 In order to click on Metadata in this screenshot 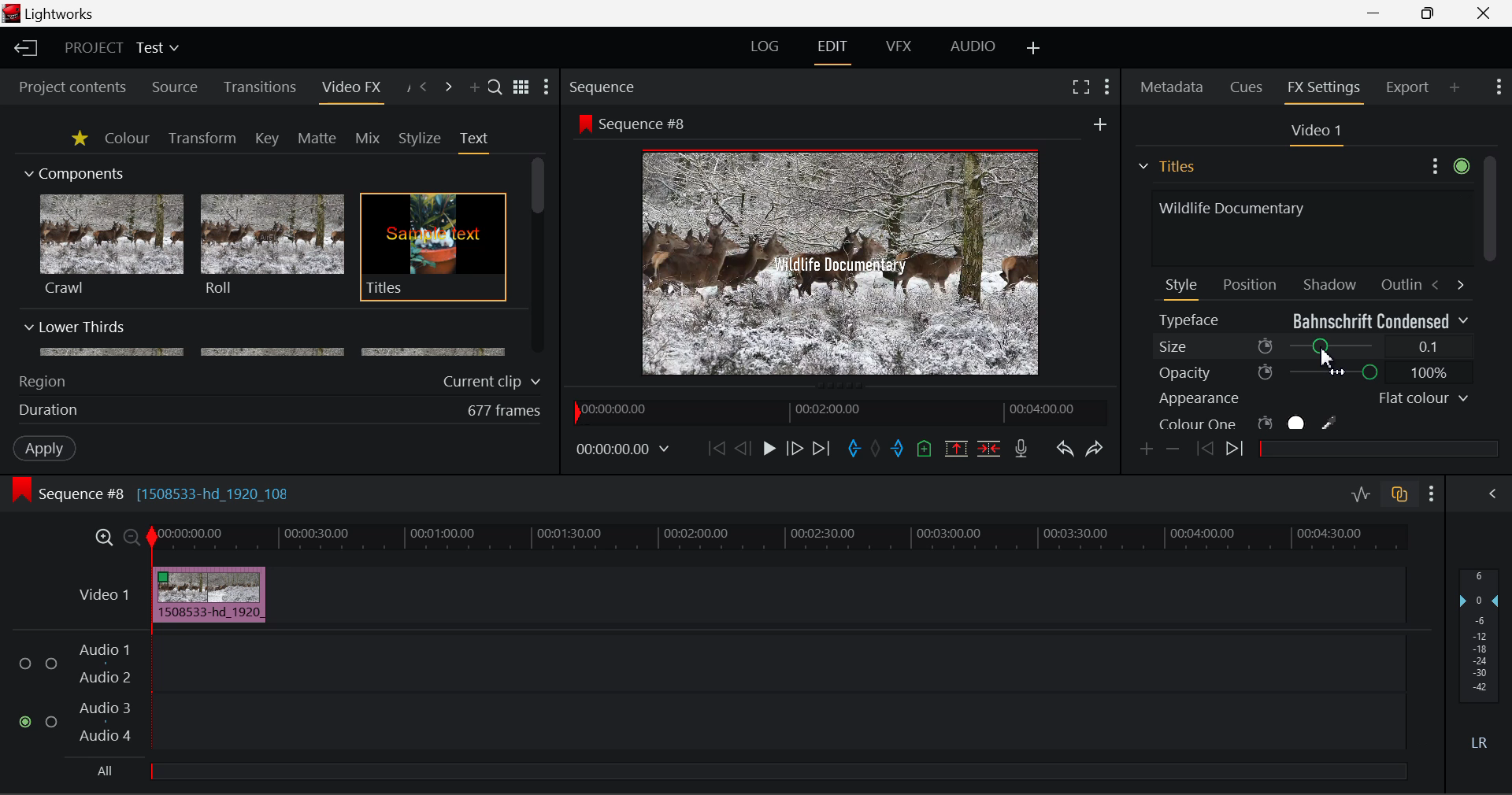, I will do `click(1173, 89)`.